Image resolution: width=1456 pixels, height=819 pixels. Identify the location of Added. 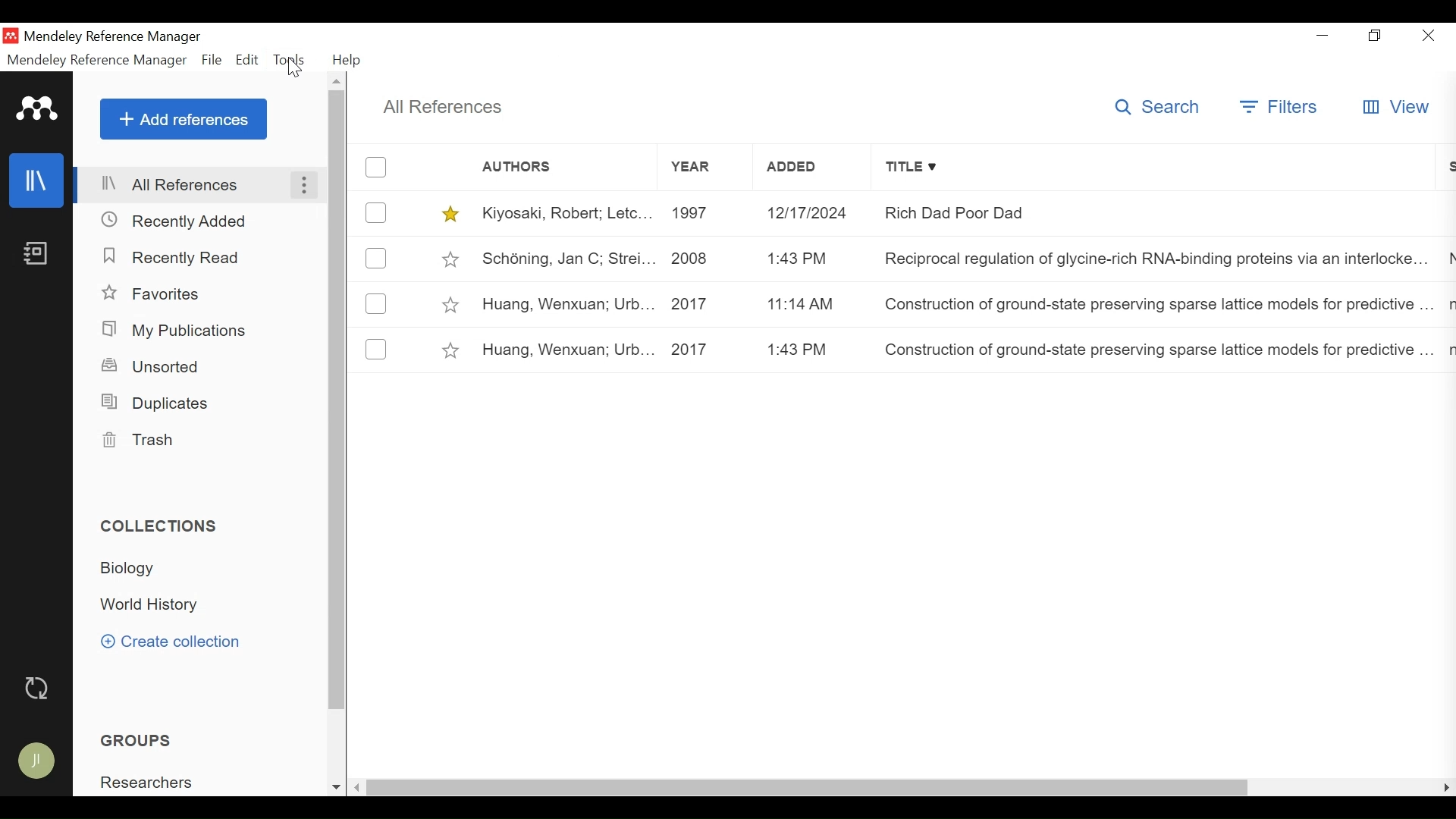
(807, 168).